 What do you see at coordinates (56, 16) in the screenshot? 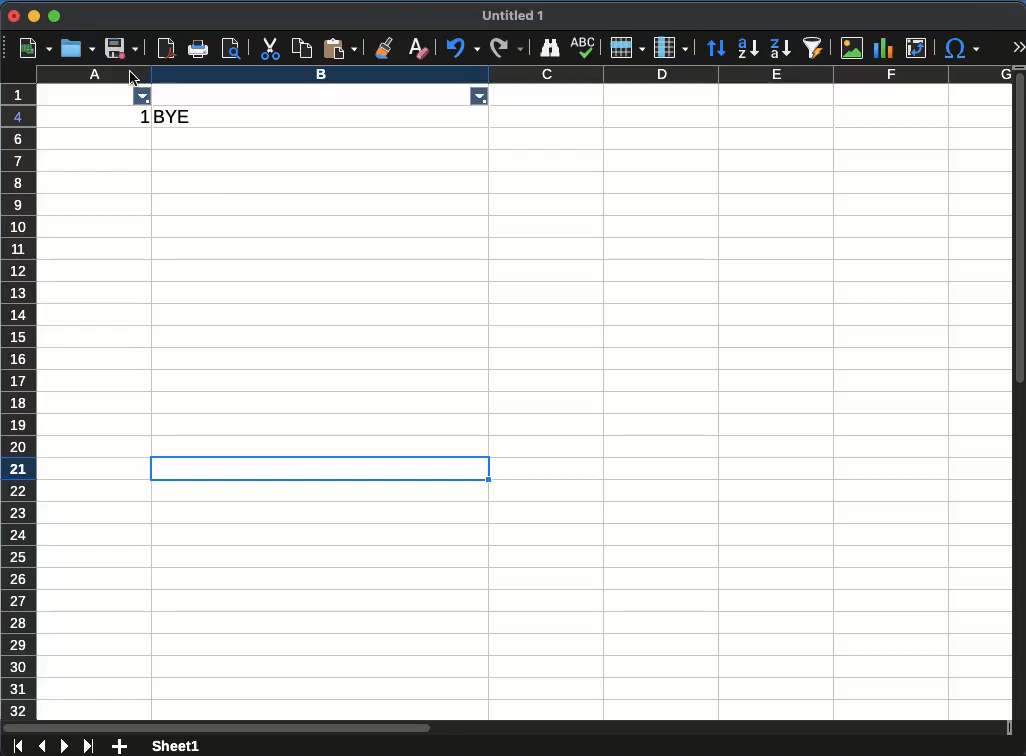
I see `maximize` at bounding box center [56, 16].